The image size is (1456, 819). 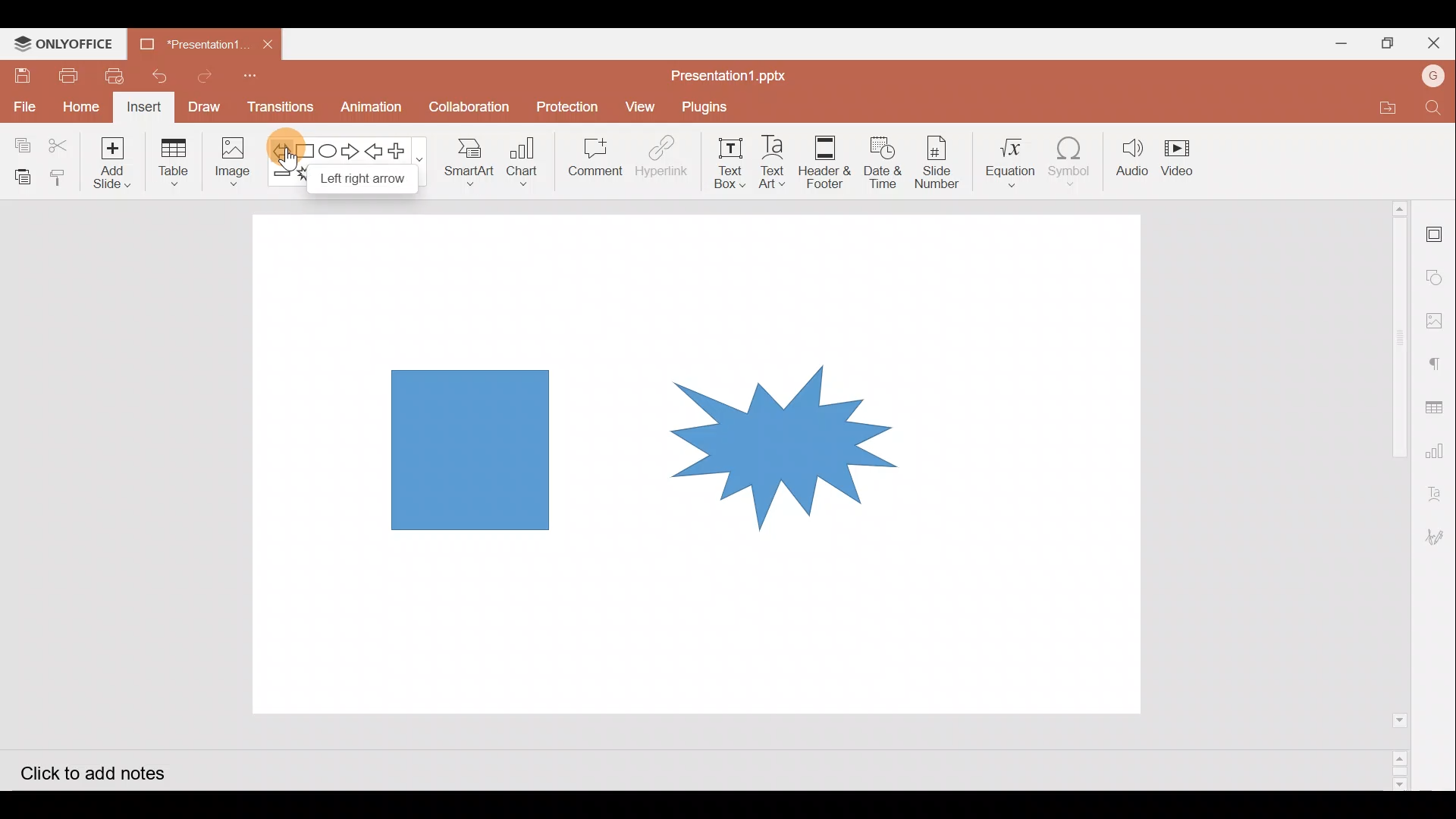 What do you see at coordinates (568, 104) in the screenshot?
I see `Protection` at bounding box center [568, 104].